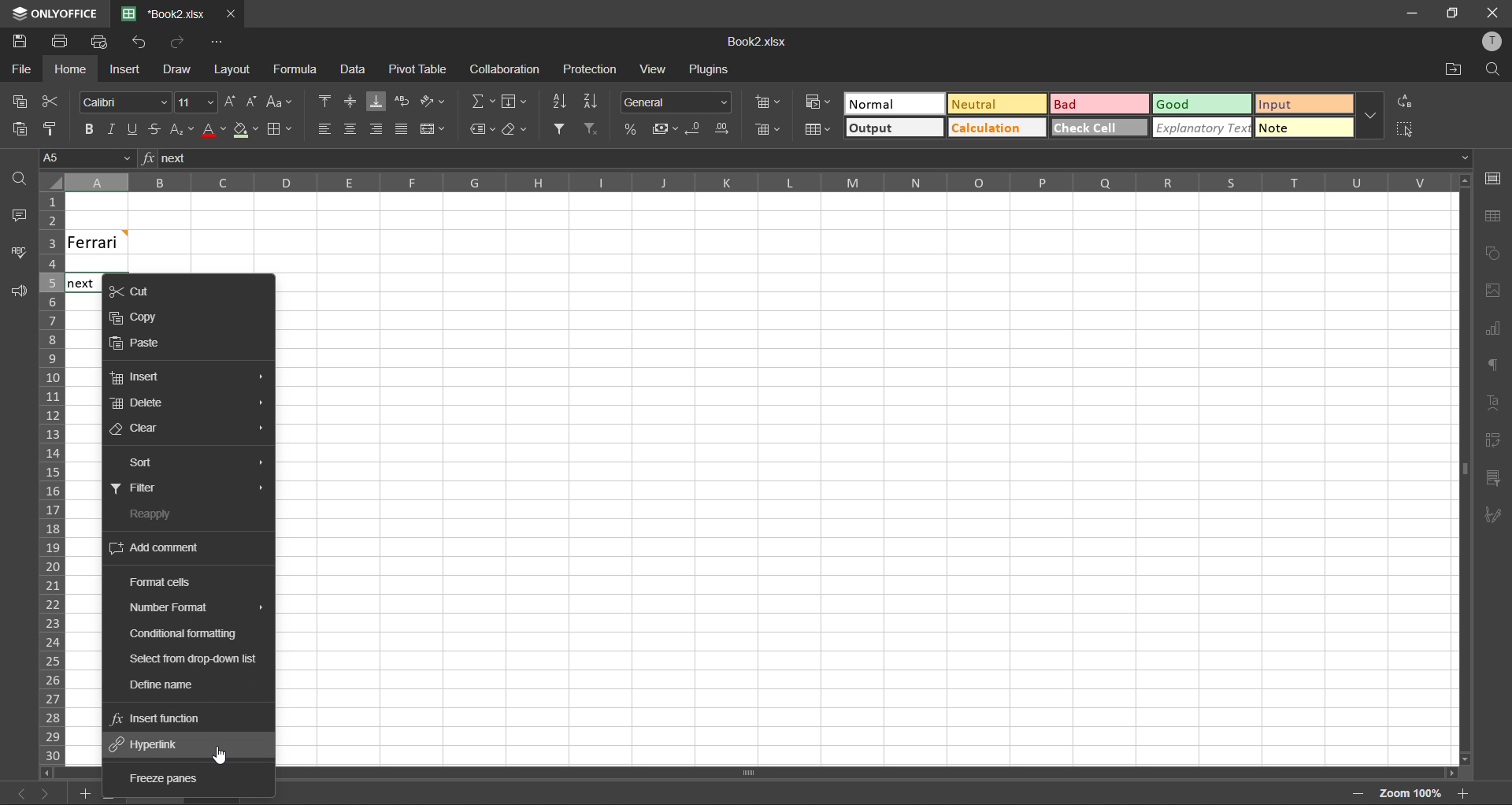 The width and height of the screenshot is (1512, 805). Describe the element at coordinates (483, 101) in the screenshot. I see `summation` at that location.